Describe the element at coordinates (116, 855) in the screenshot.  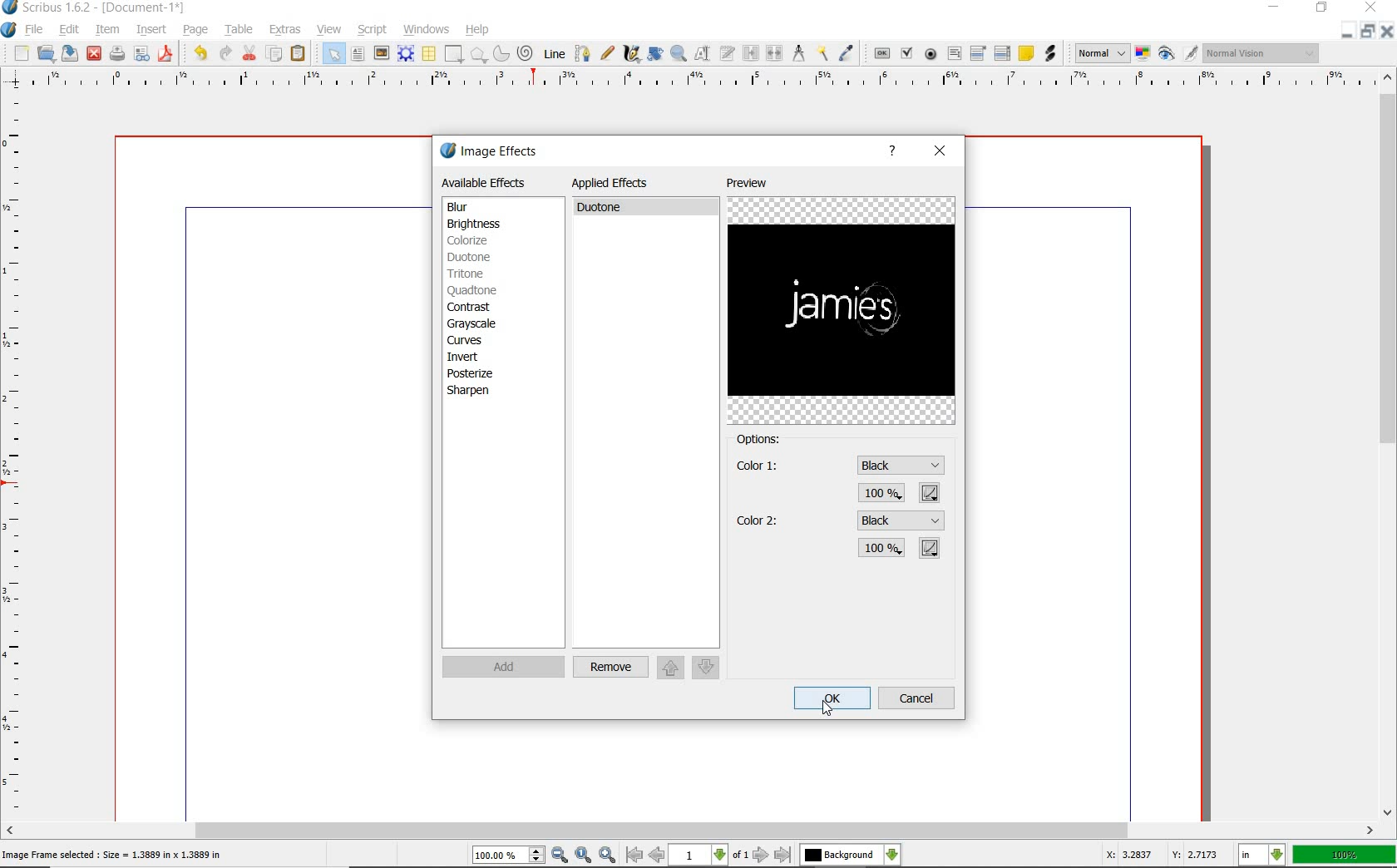
I see `image frame selected : size = 1.3889 in x 1.3889 in` at that location.